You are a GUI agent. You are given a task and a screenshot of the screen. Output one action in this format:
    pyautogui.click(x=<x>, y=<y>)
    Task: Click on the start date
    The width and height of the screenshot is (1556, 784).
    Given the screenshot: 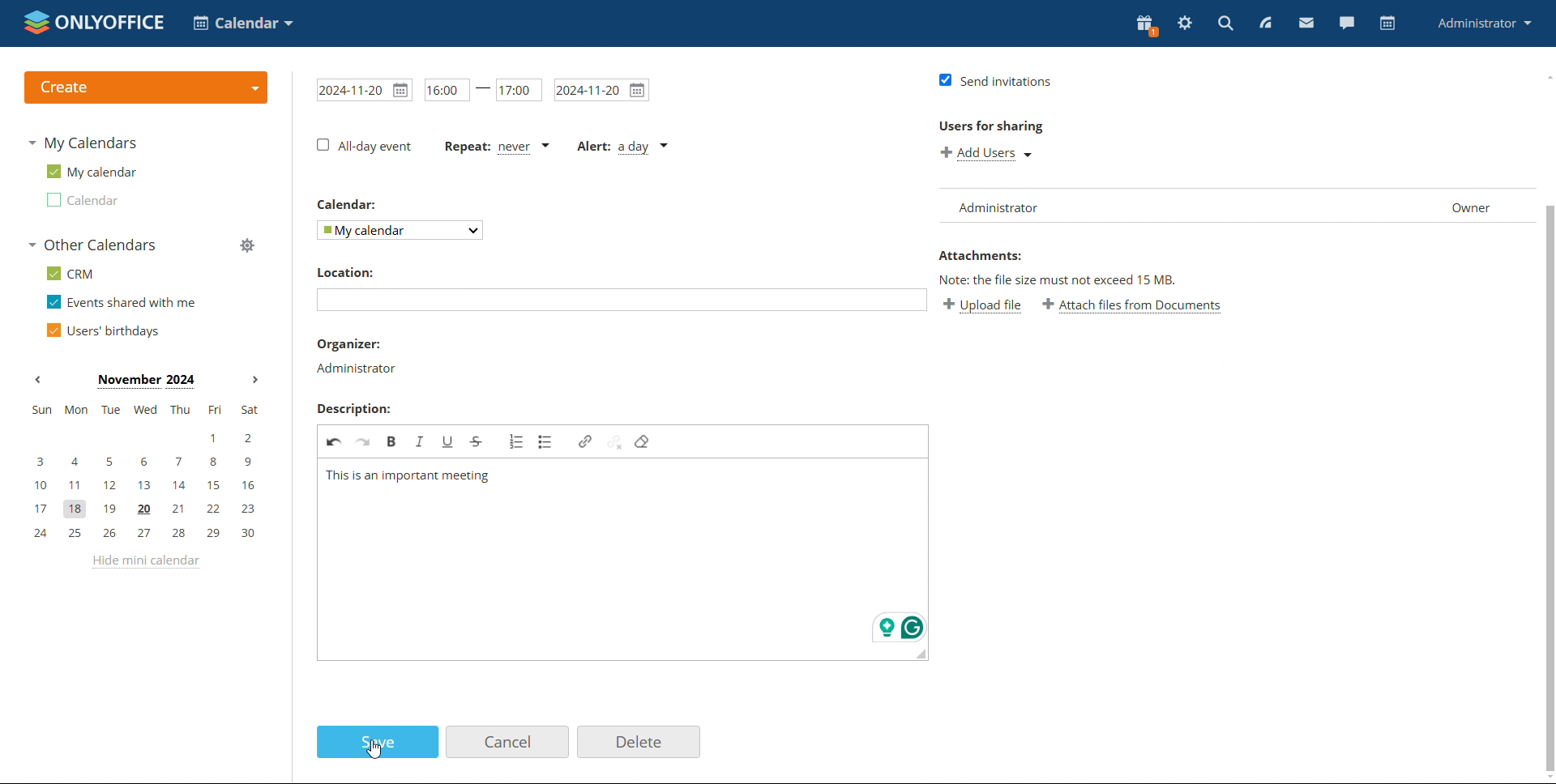 What is the action you would take?
    pyautogui.click(x=365, y=90)
    